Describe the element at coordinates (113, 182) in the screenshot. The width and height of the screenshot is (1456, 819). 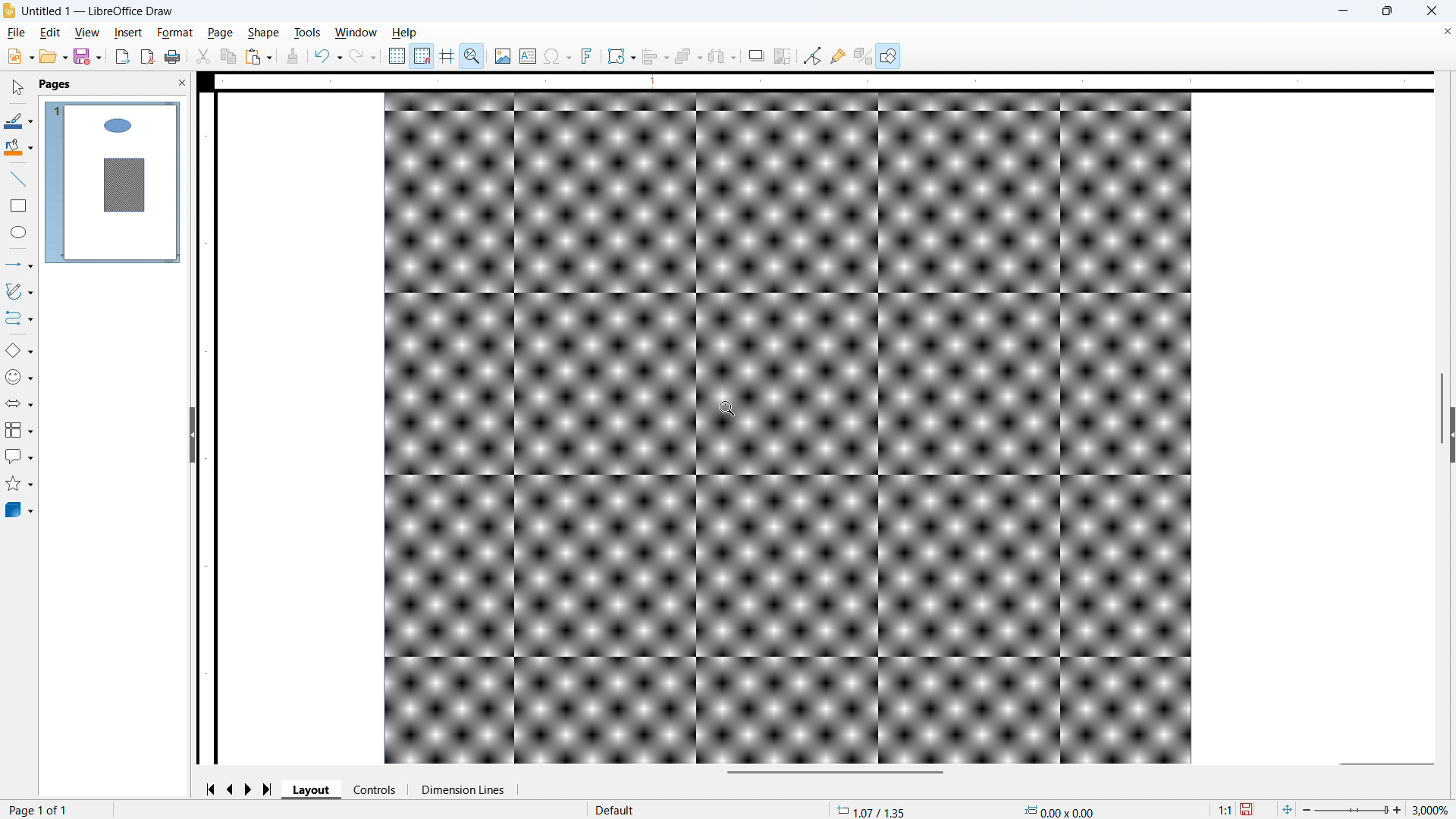
I see `Page display ` at that location.